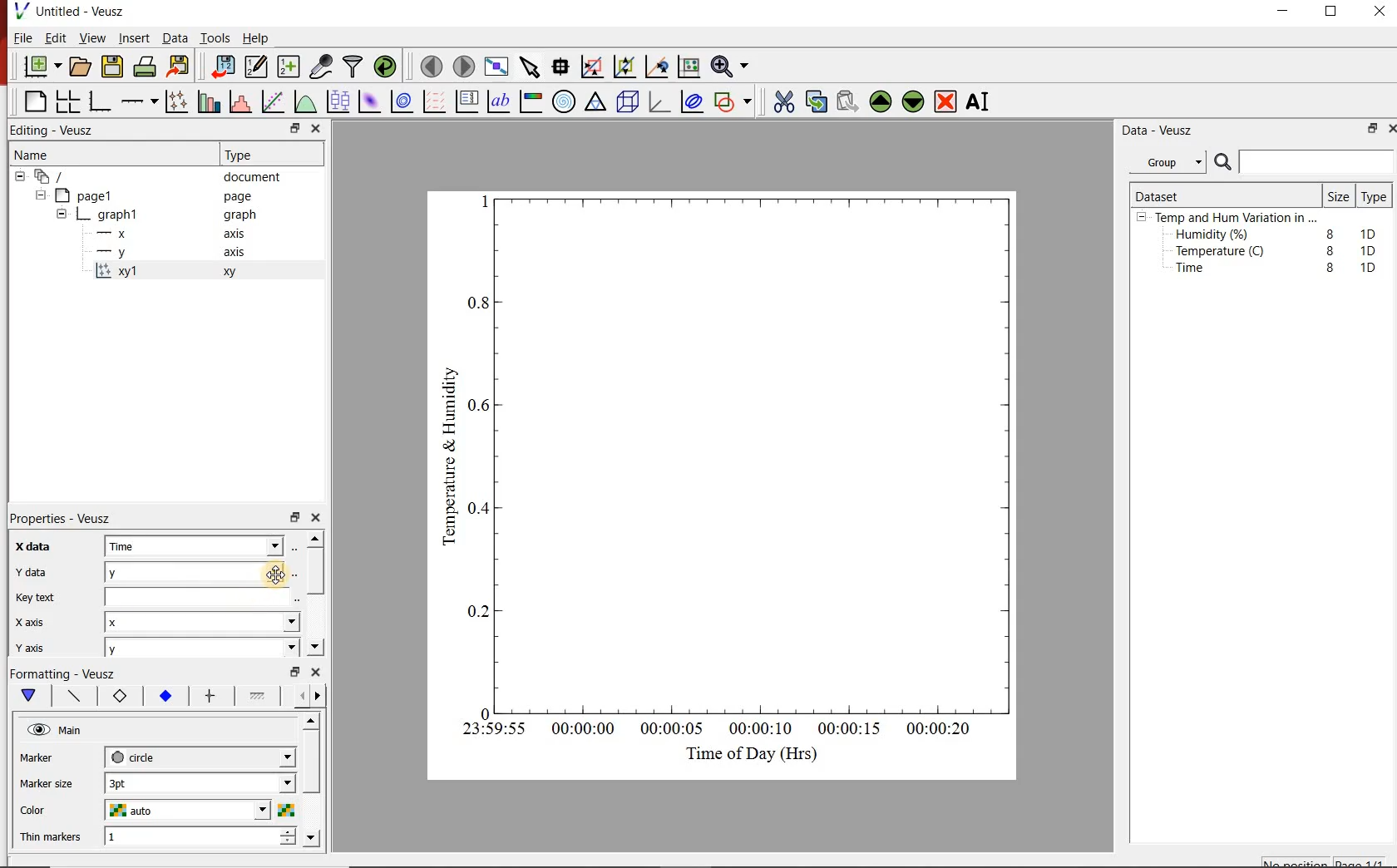 This screenshot has height=868, width=1397. Describe the element at coordinates (287, 811) in the screenshot. I see `Select color` at that location.